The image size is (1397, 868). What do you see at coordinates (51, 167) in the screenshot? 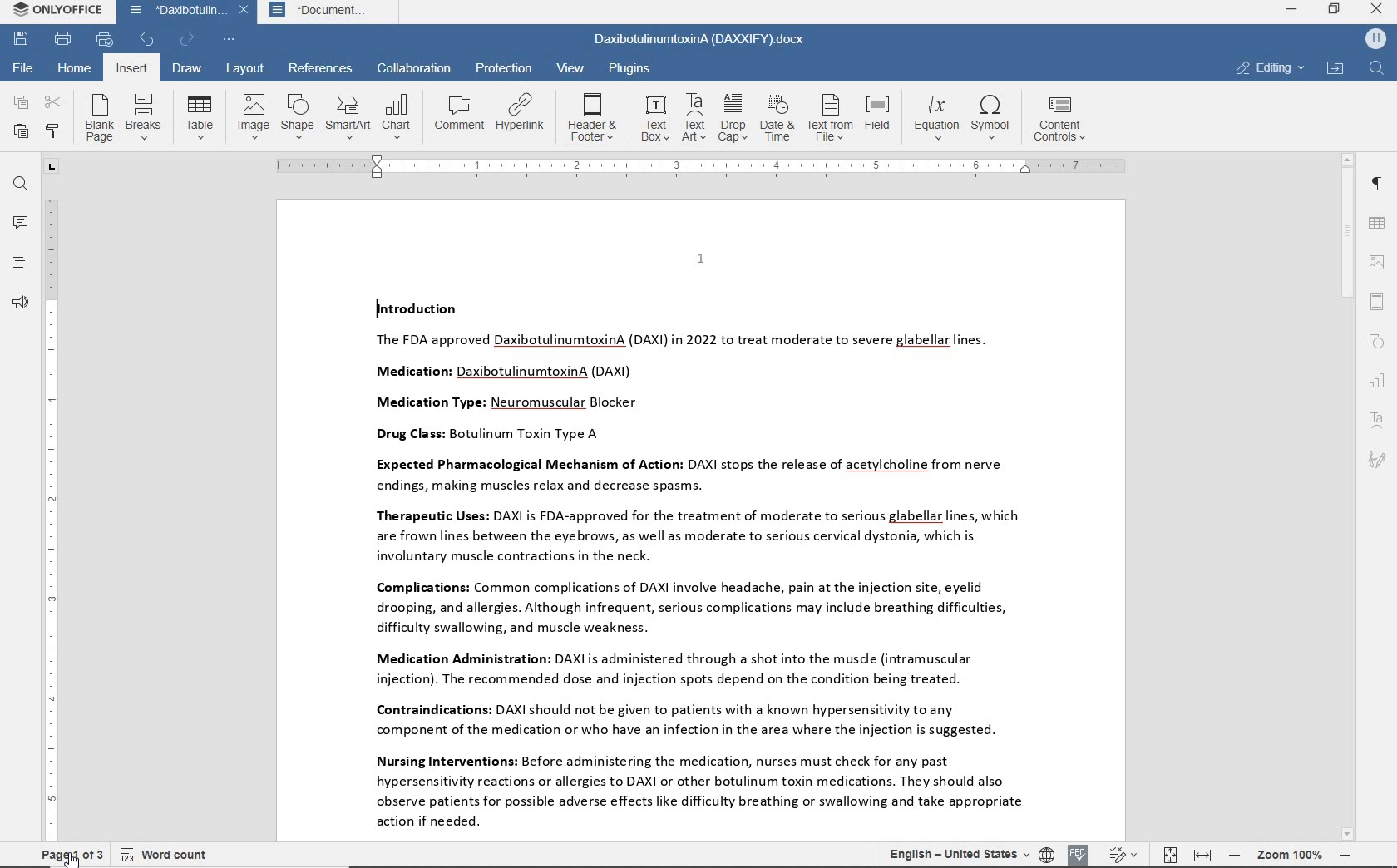
I see `tab group` at bounding box center [51, 167].